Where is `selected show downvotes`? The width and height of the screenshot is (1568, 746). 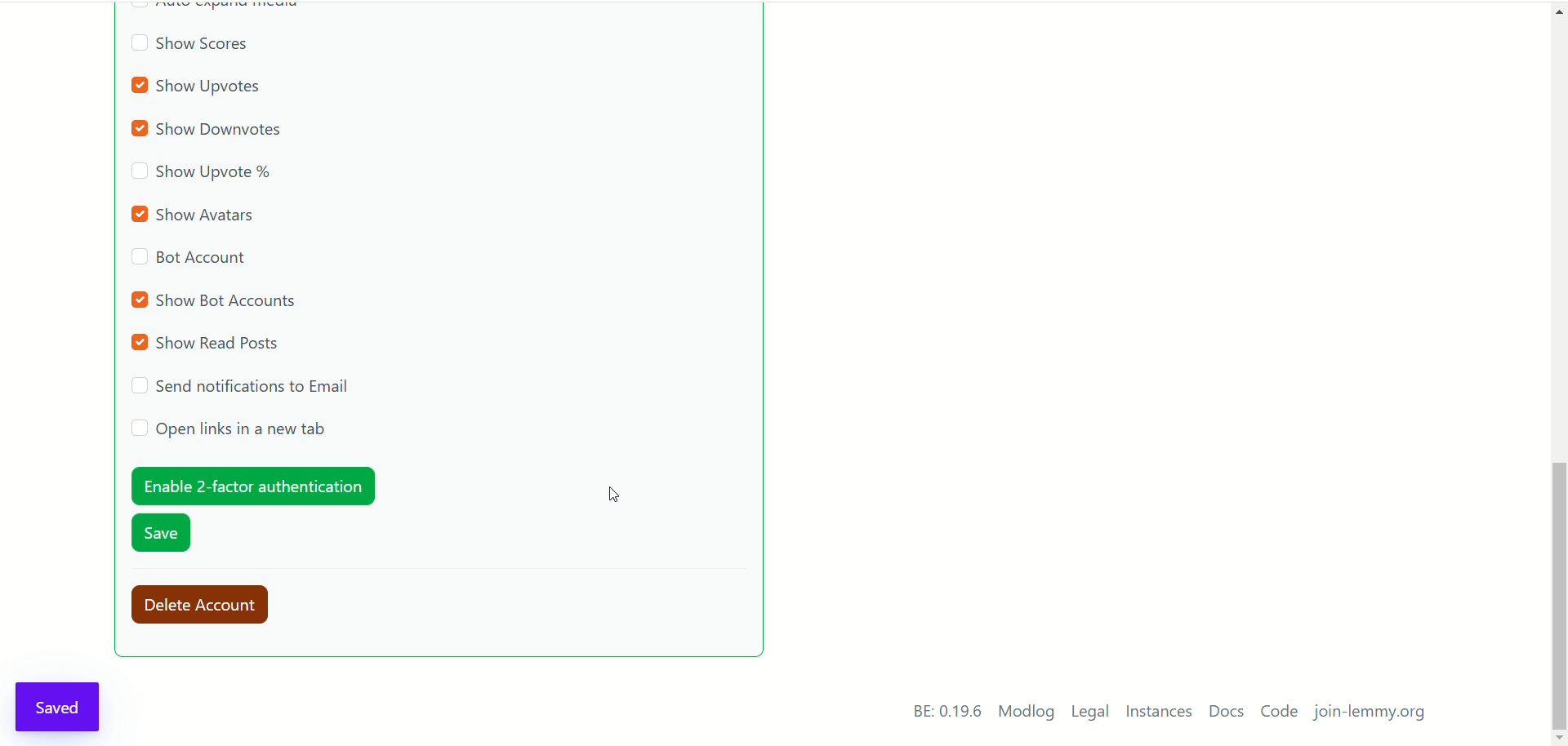 selected show downvotes is located at coordinates (212, 131).